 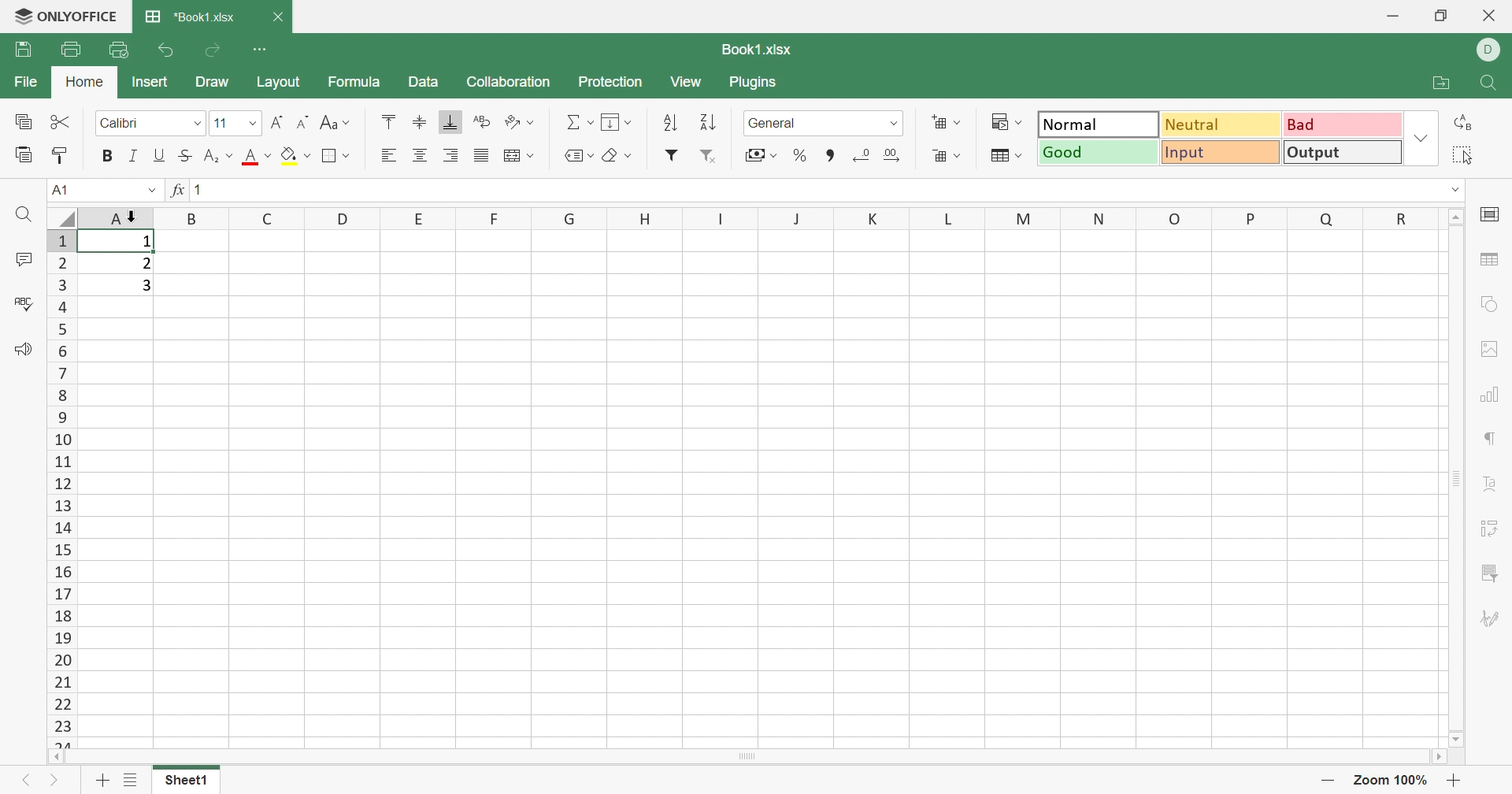 I want to click on Decrease decimal, so click(x=860, y=155).